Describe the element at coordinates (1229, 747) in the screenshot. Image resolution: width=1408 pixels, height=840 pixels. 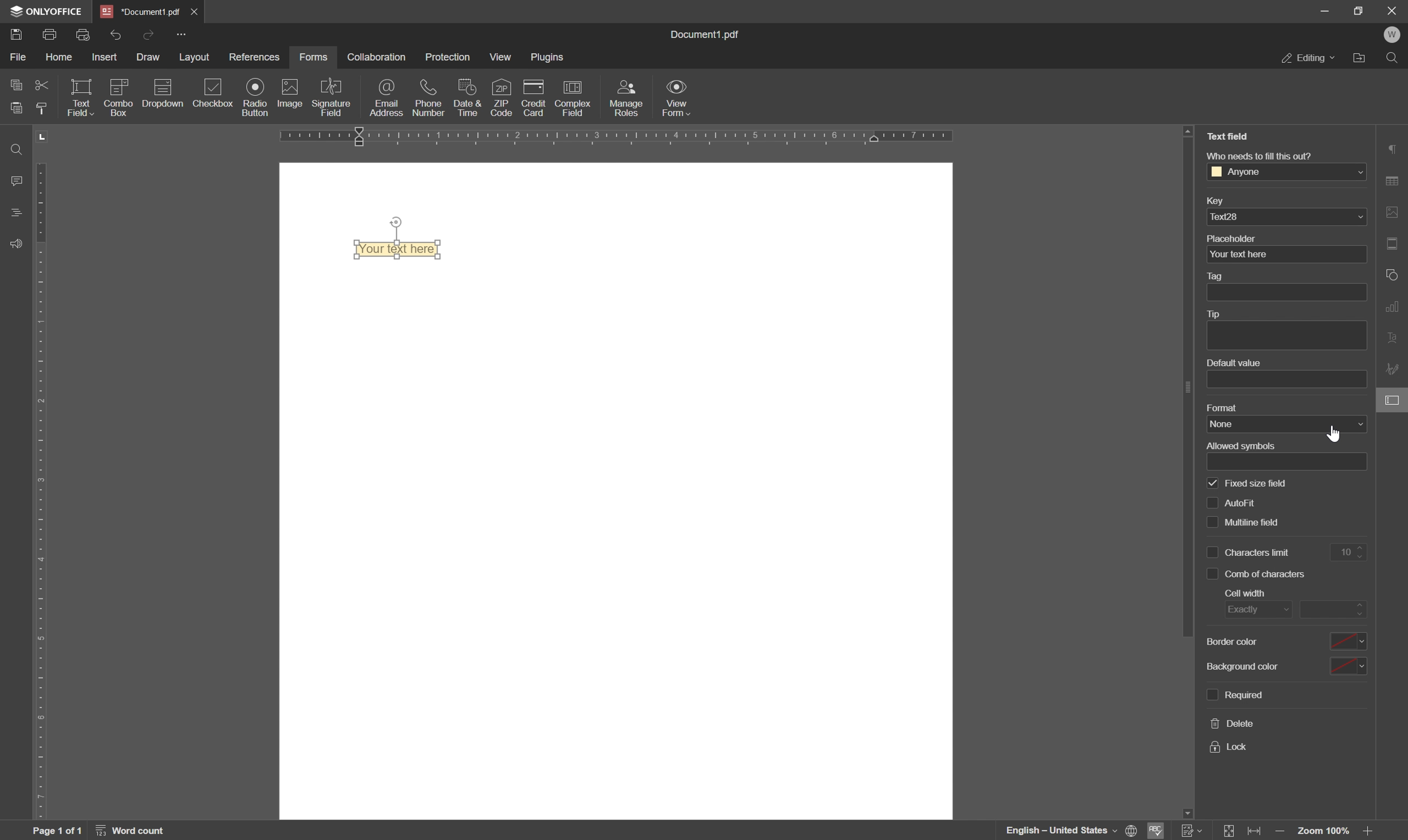
I see `lock` at that location.